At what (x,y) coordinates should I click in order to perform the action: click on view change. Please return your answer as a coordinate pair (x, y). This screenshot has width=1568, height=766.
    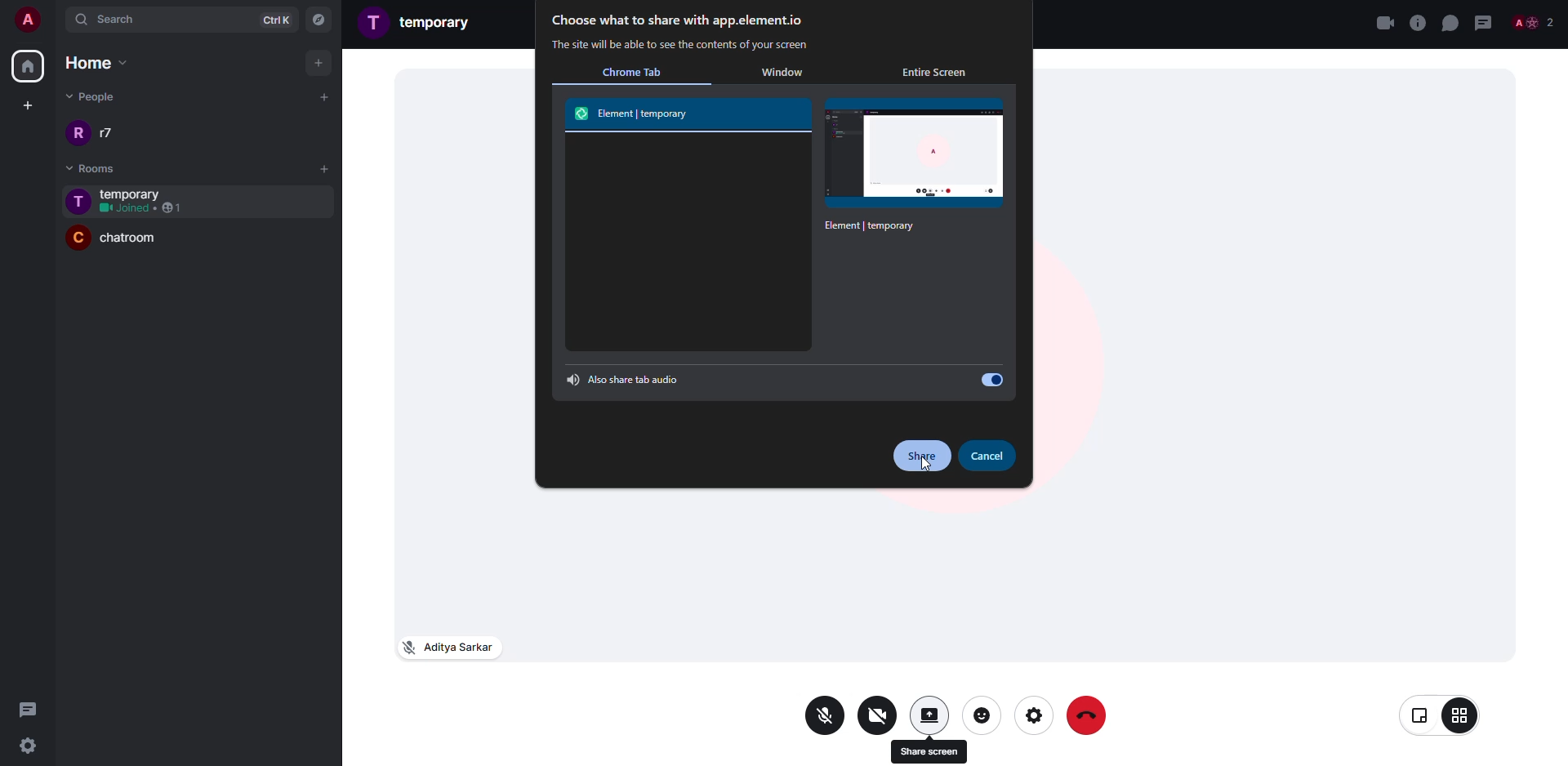
    Looking at the image, I should click on (1441, 715).